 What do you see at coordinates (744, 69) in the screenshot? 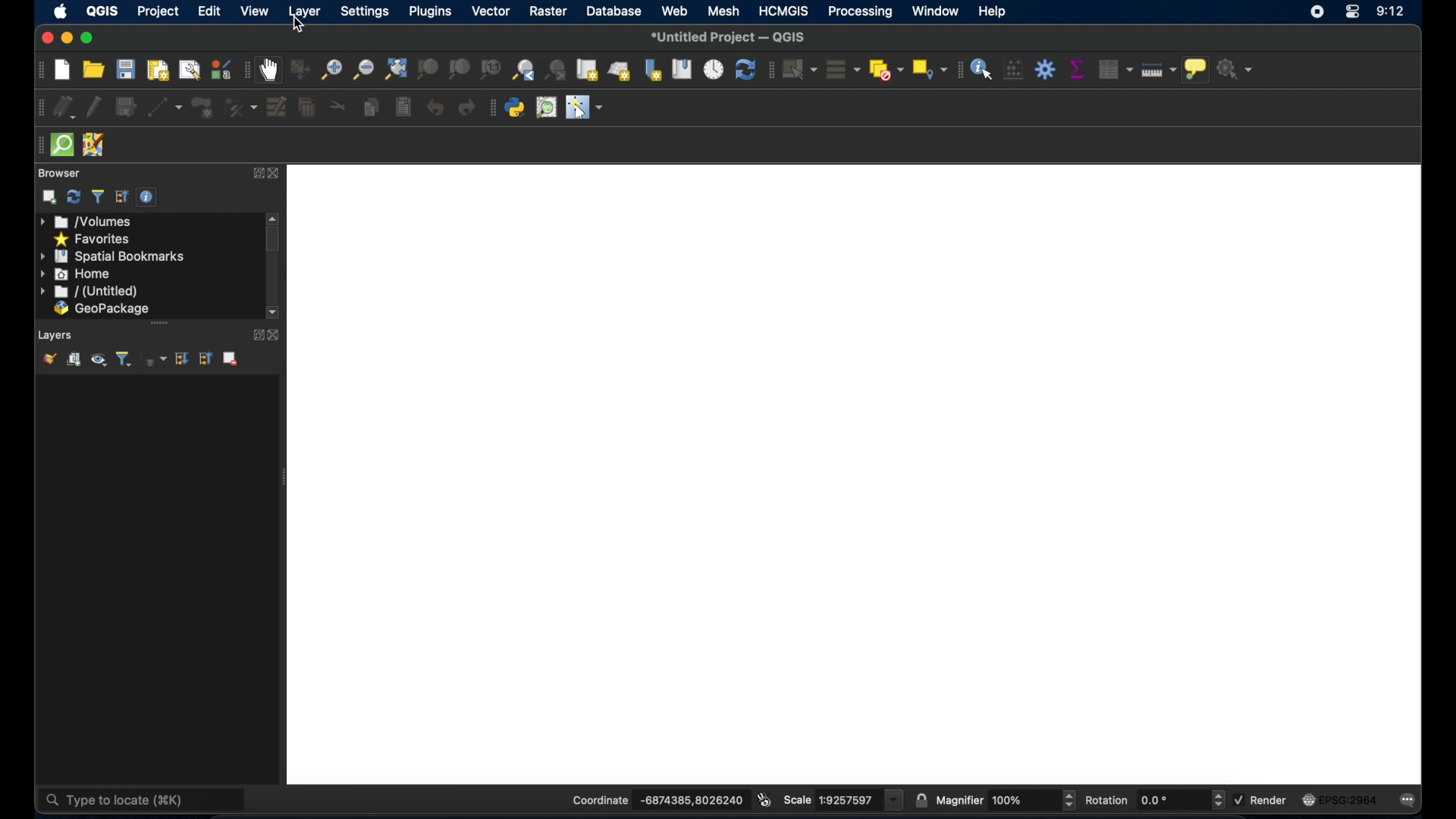
I see `refresh` at bounding box center [744, 69].